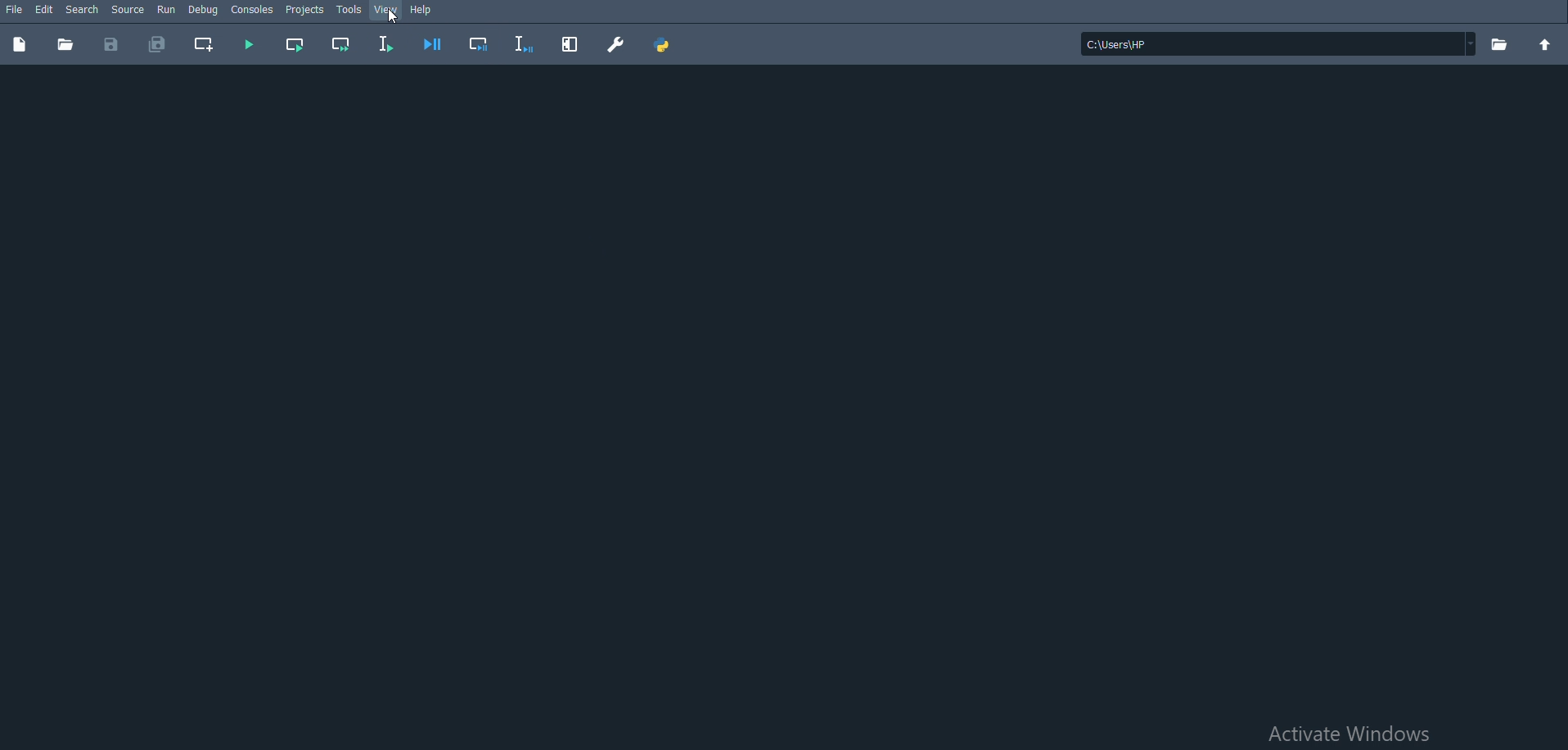 This screenshot has height=750, width=1568. Describe the element at coordinates (13, 8) in the screenshot. I see `File` at that location.